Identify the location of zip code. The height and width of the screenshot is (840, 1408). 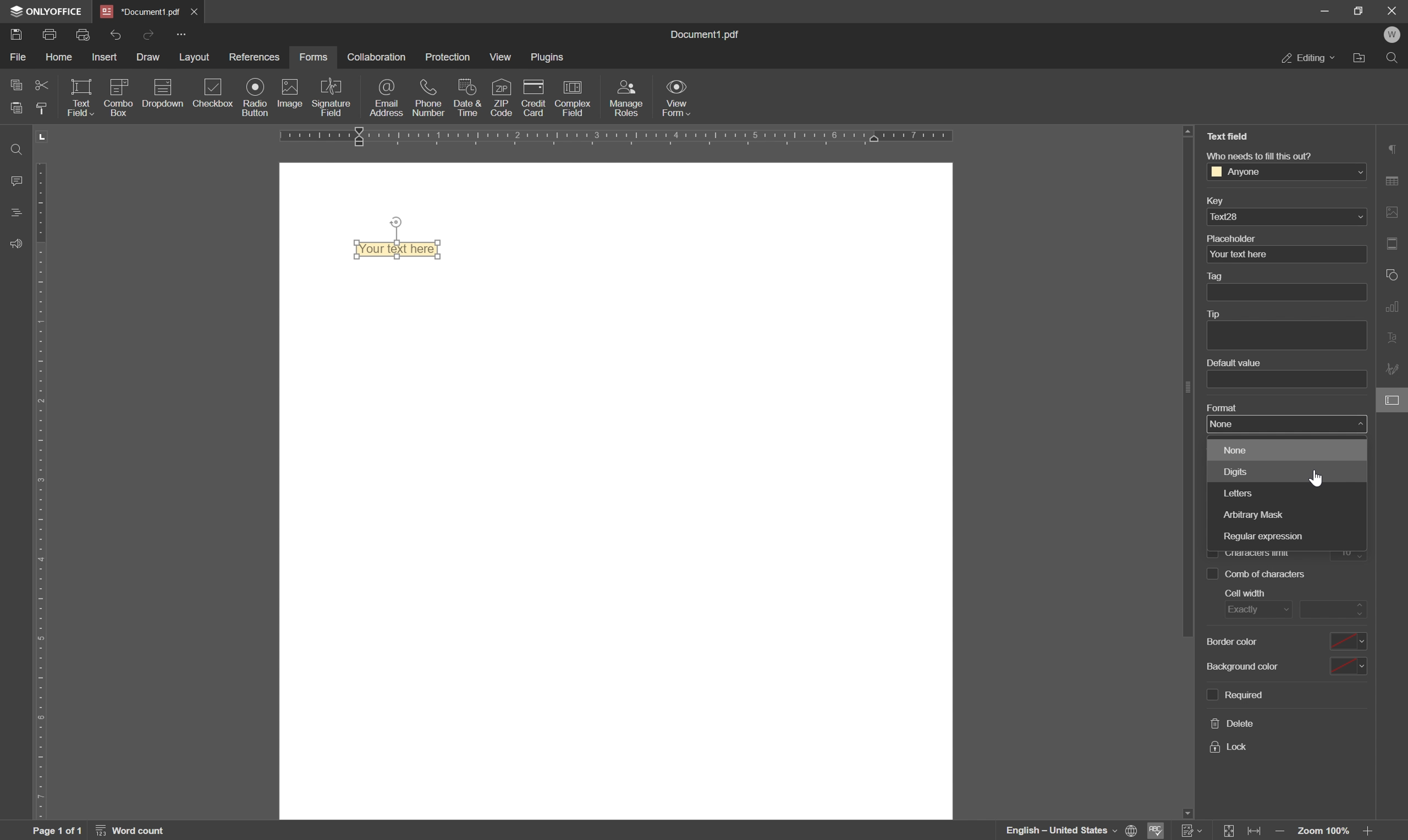
(502, 98).